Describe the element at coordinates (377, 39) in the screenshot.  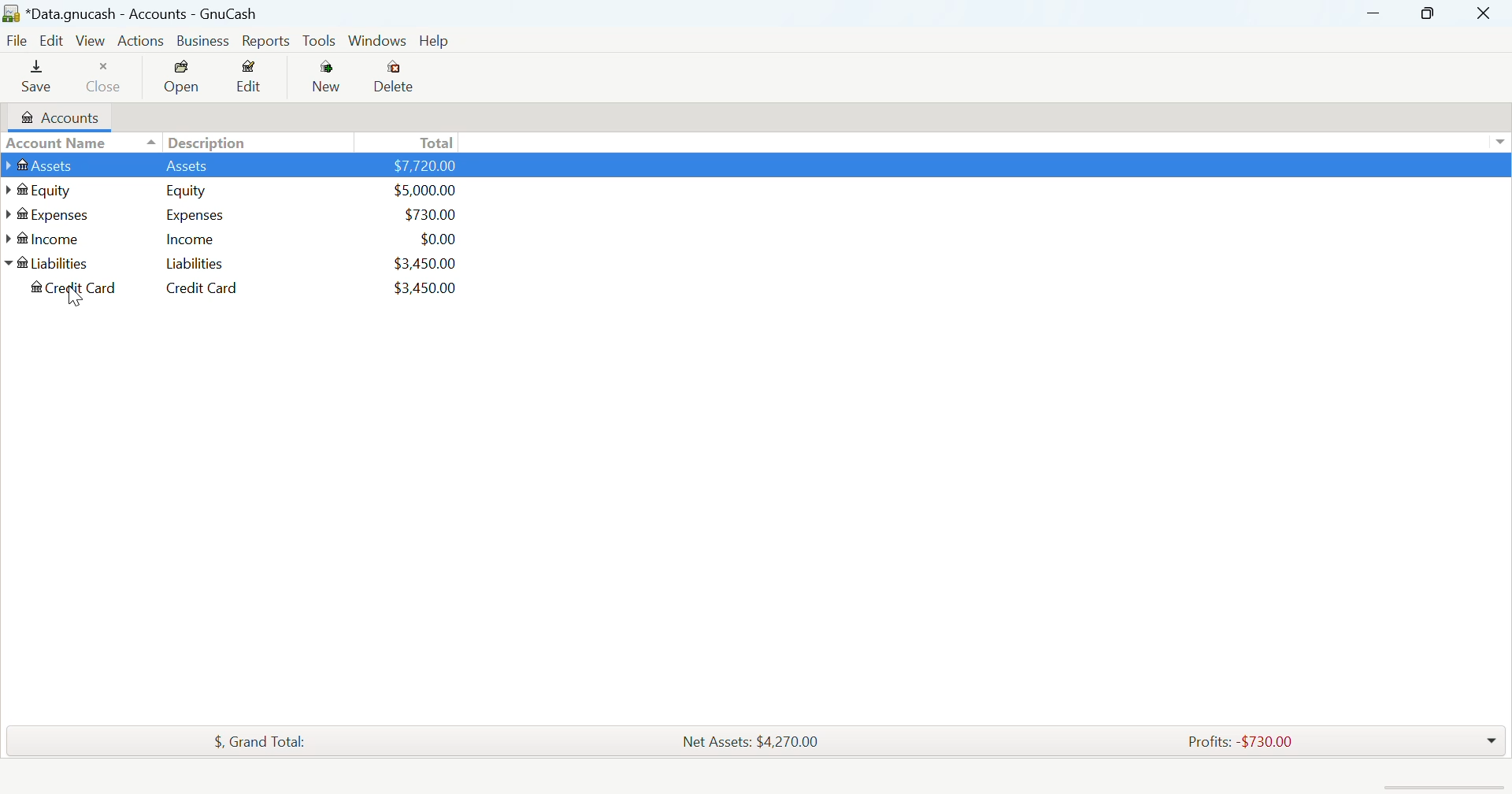
I see `Windows` at that location.